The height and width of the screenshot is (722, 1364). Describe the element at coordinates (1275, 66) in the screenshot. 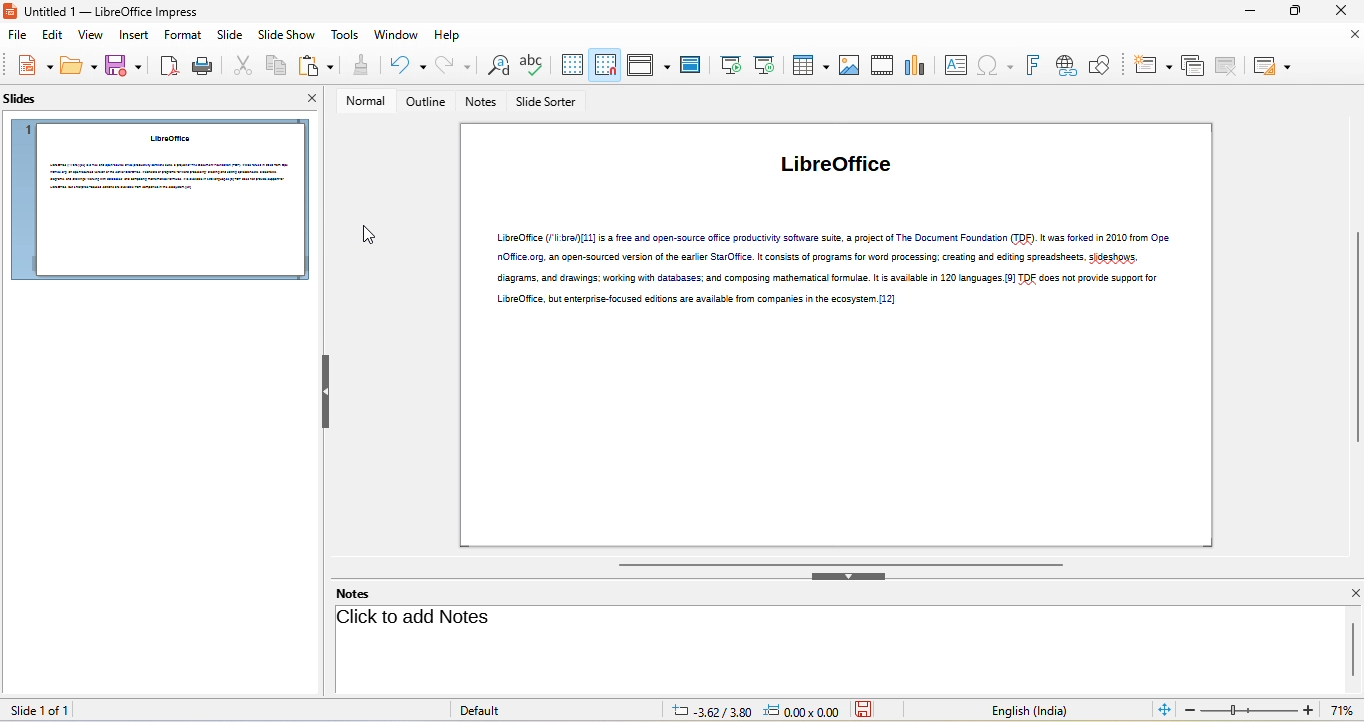

I see `slide layout` at that location.